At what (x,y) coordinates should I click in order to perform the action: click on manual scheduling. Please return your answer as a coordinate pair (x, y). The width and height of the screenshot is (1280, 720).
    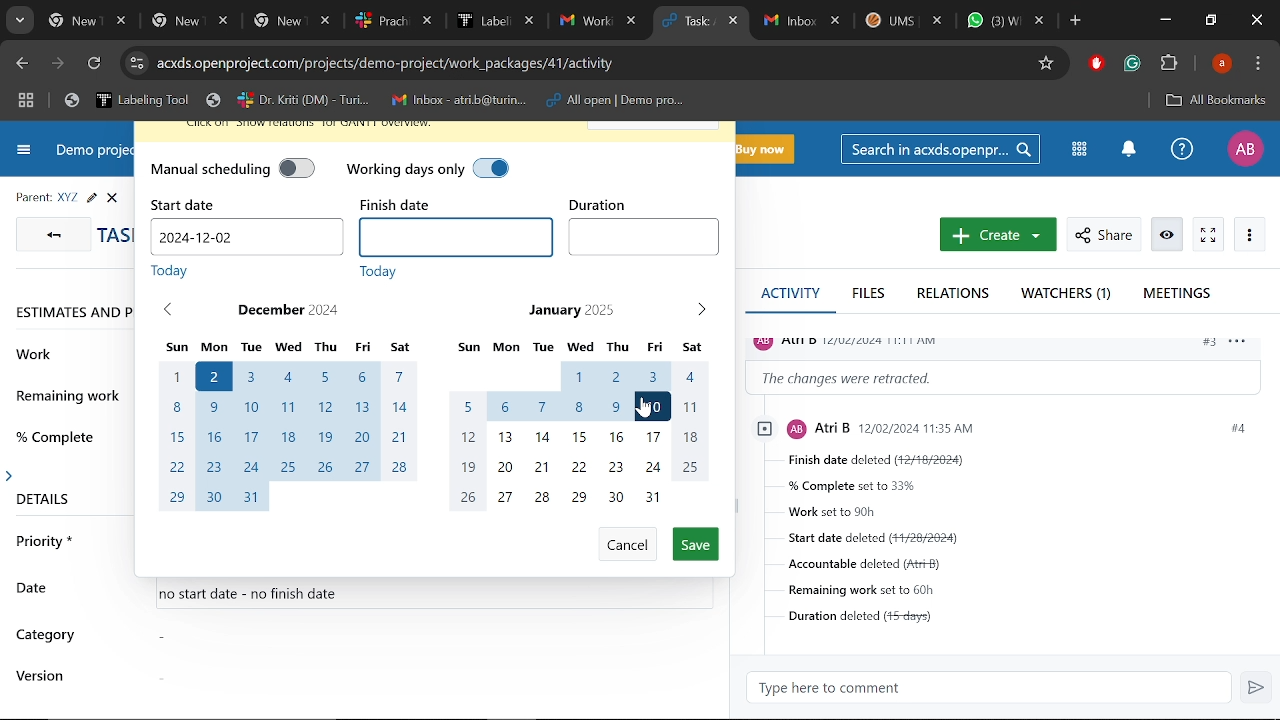
    Looking at the image, I should click on (209, 167).